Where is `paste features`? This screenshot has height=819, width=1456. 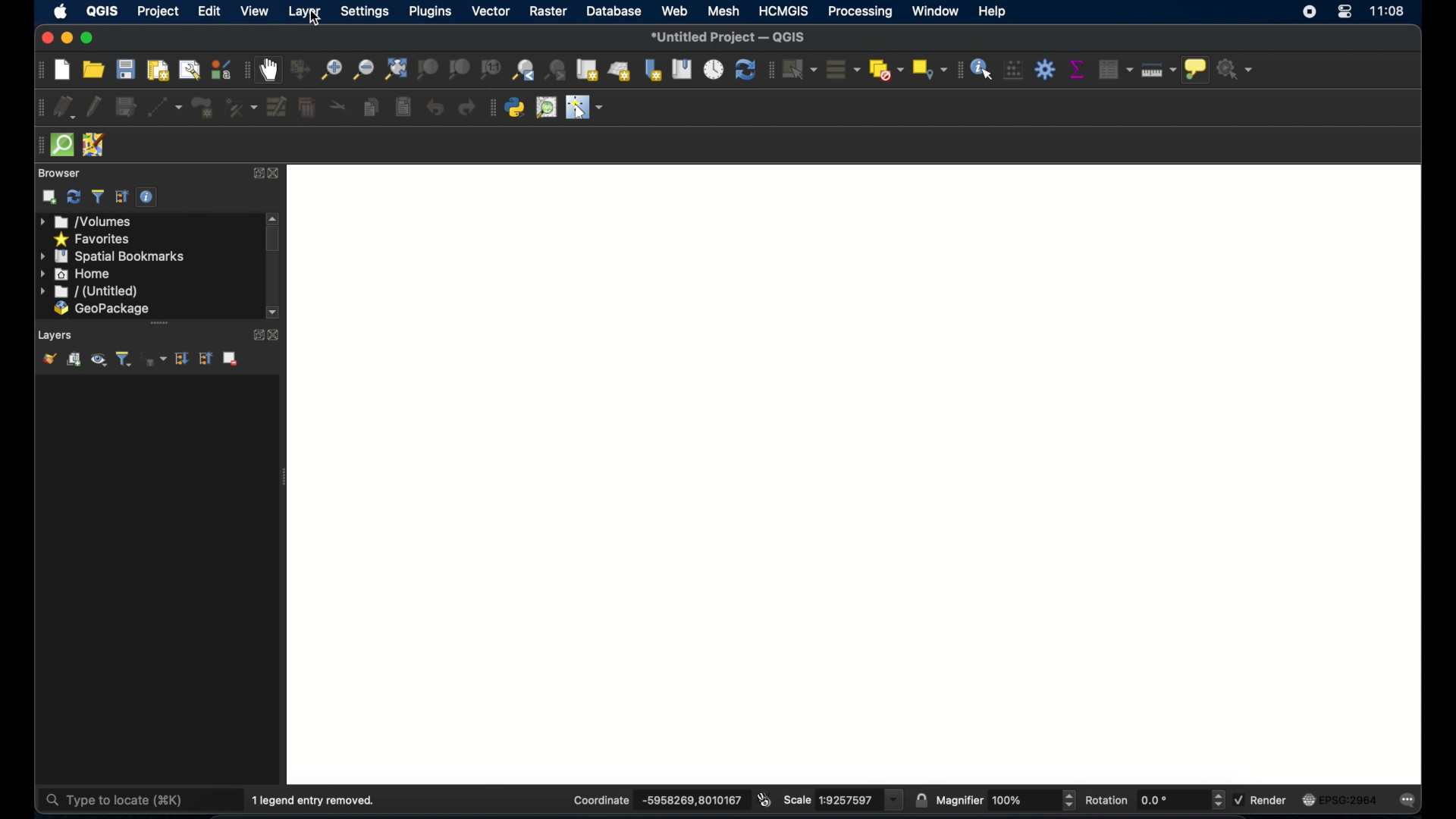 paste features is located at coordinates (402, 105).